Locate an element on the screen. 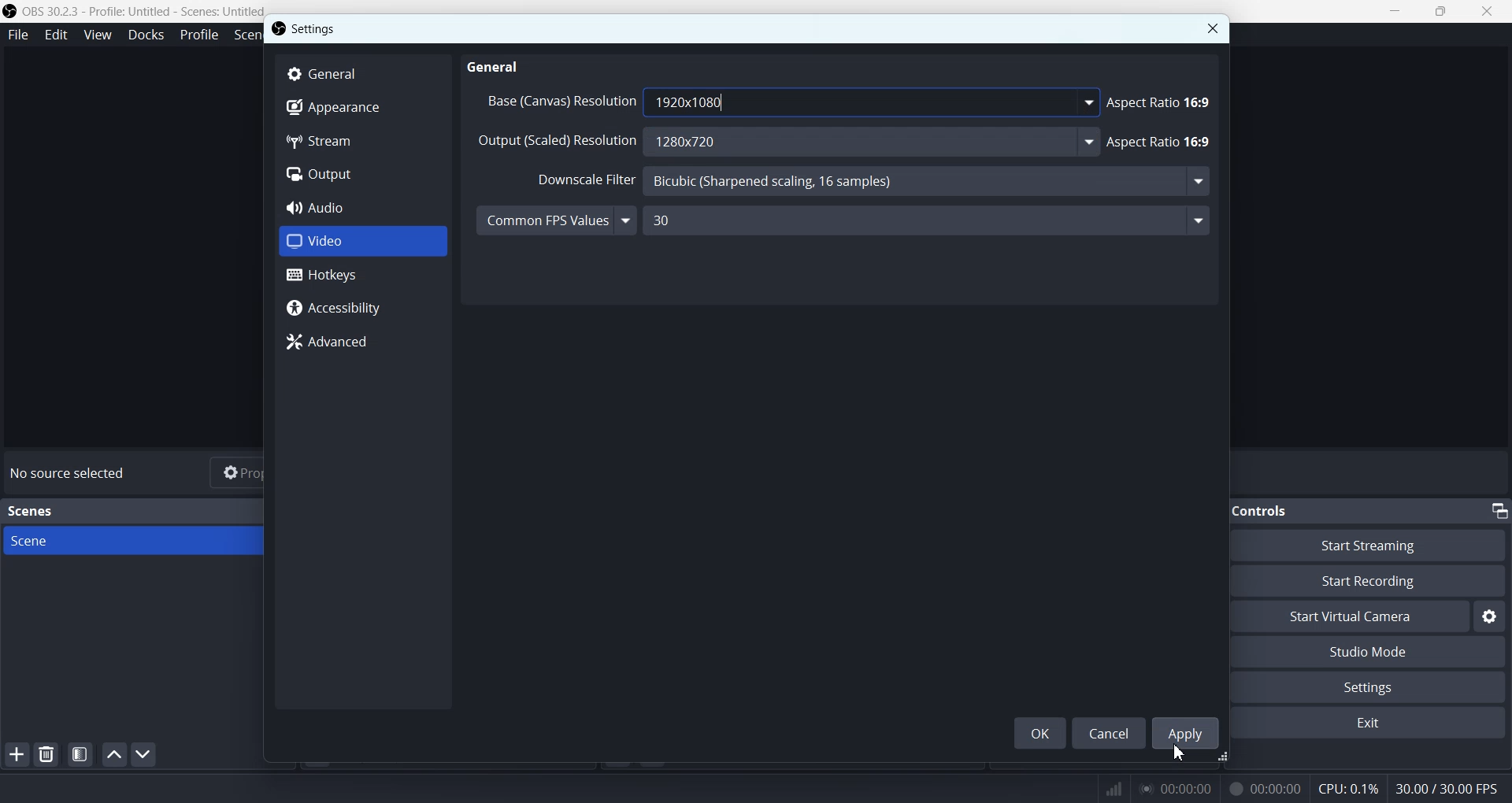 The height and width of the screenshot is (803, 1512). network is located at coordinates (1110, 786).